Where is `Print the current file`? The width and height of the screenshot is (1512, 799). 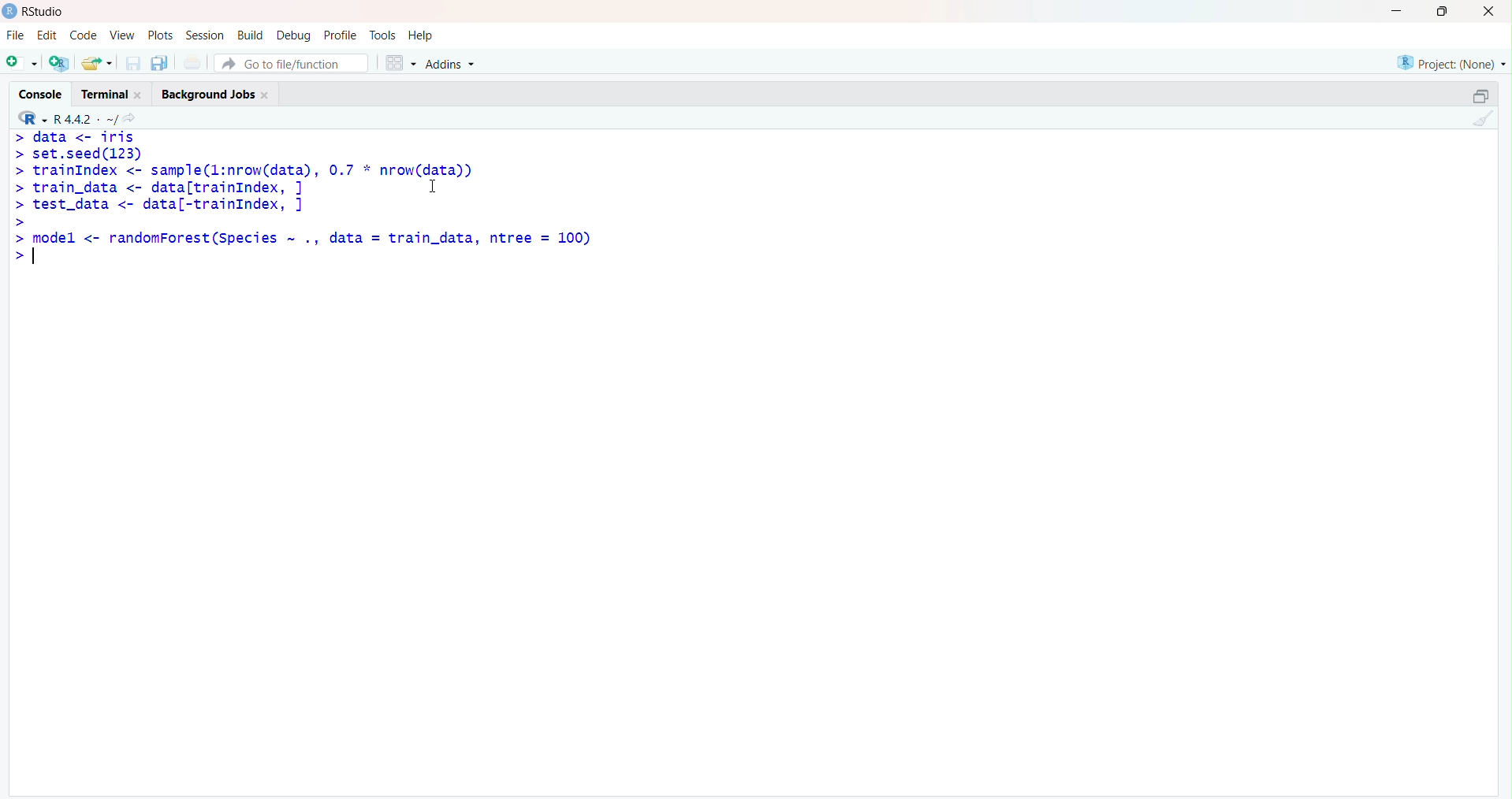
Print the current file is located at coordinates (192, 64).